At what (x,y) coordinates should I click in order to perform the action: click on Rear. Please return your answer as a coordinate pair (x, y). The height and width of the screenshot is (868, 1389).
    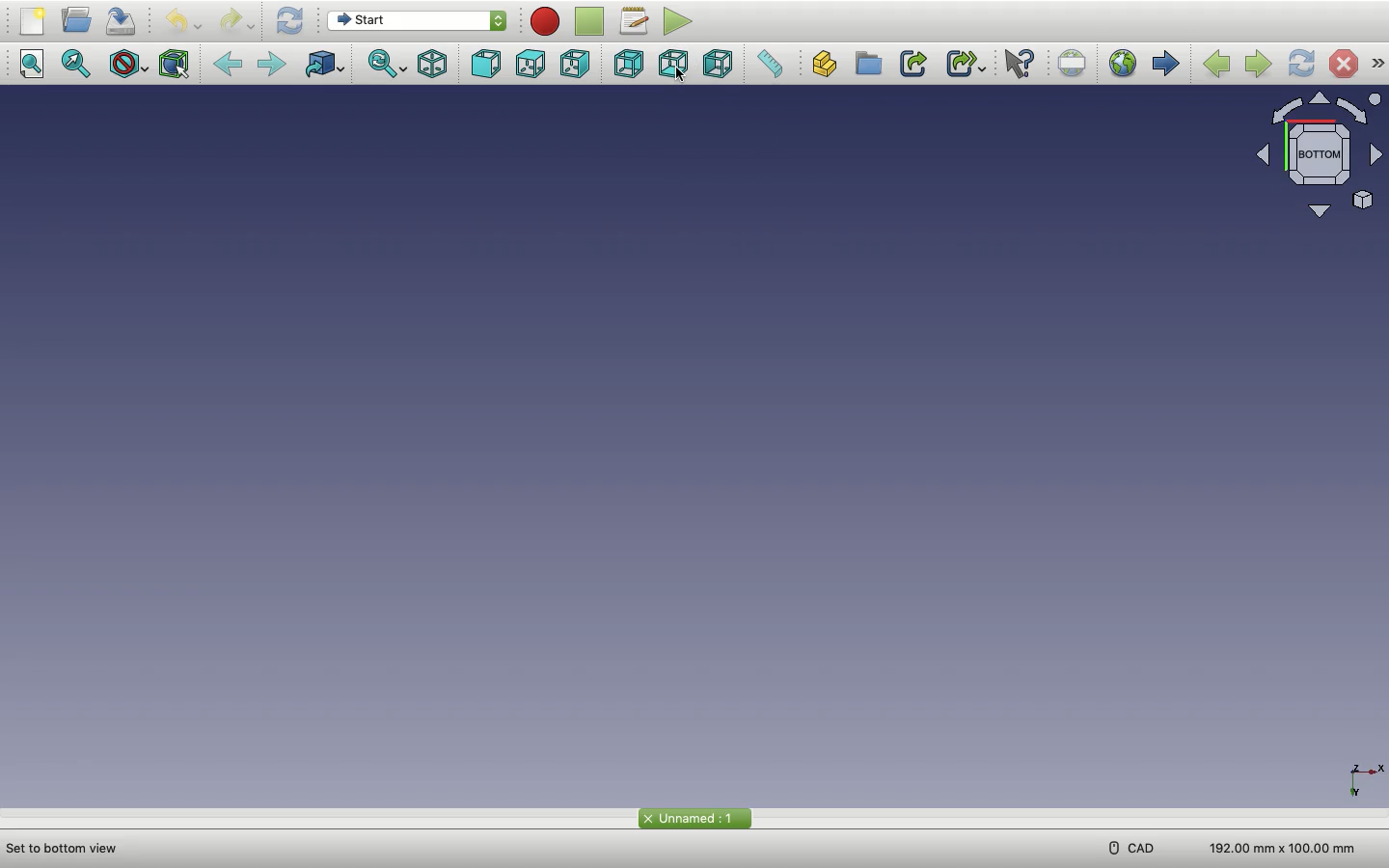
    Looking at the image, I should click on (628, 66).